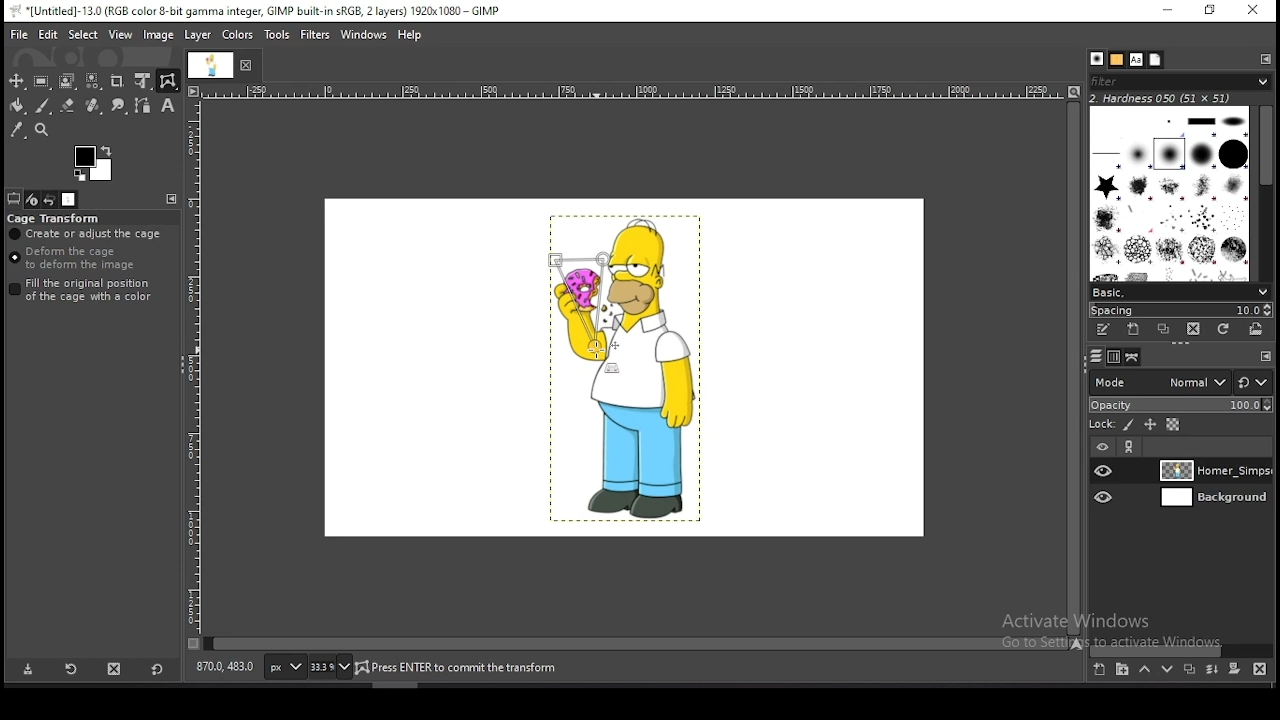 This screenshot has height=720, width=1280. Describe the element at coordinates (1212, 672) in the screenshot. I see `merge layers` at that location.